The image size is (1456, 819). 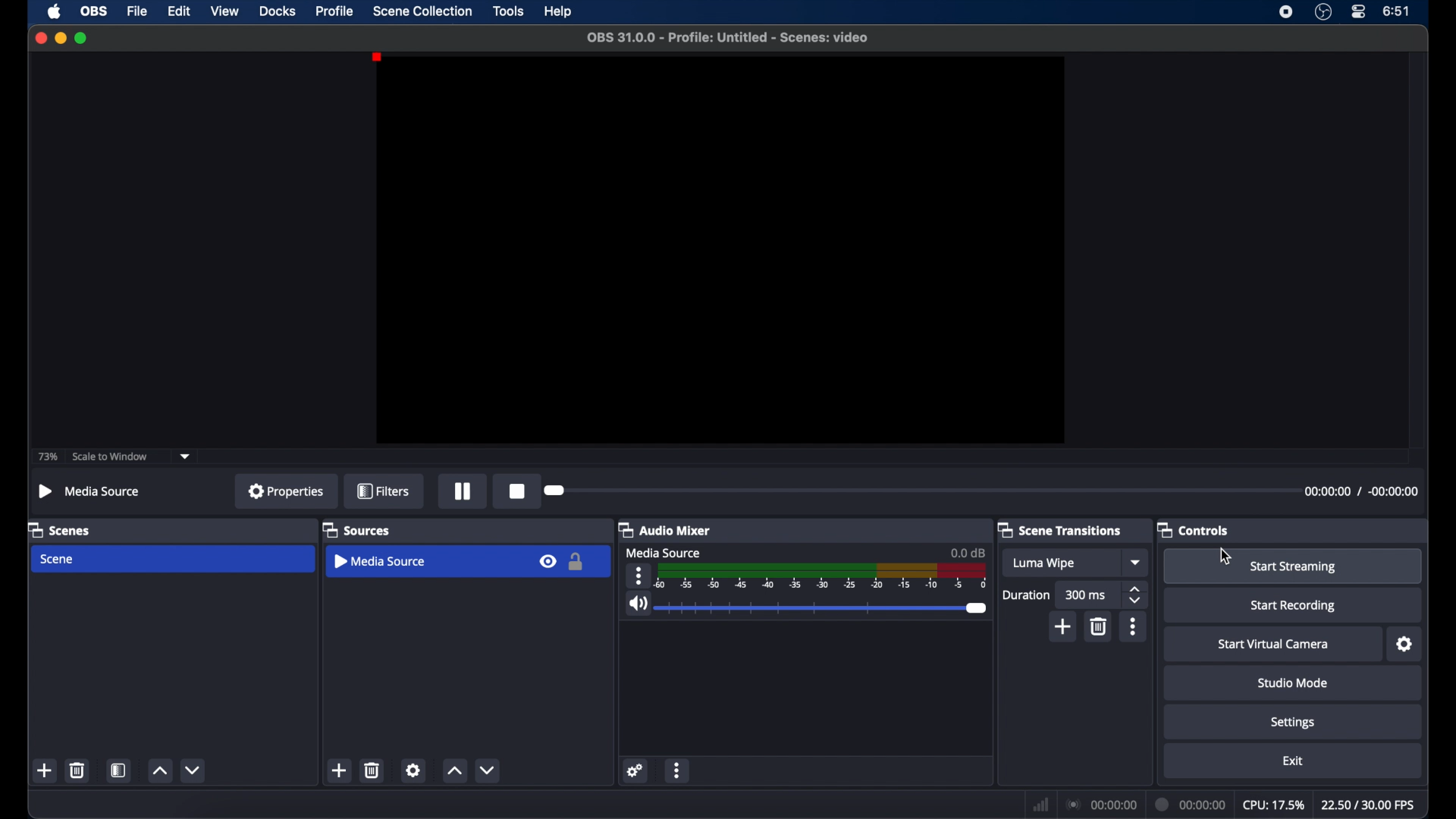 I want to click on scenes, so click(x=60, y=529).